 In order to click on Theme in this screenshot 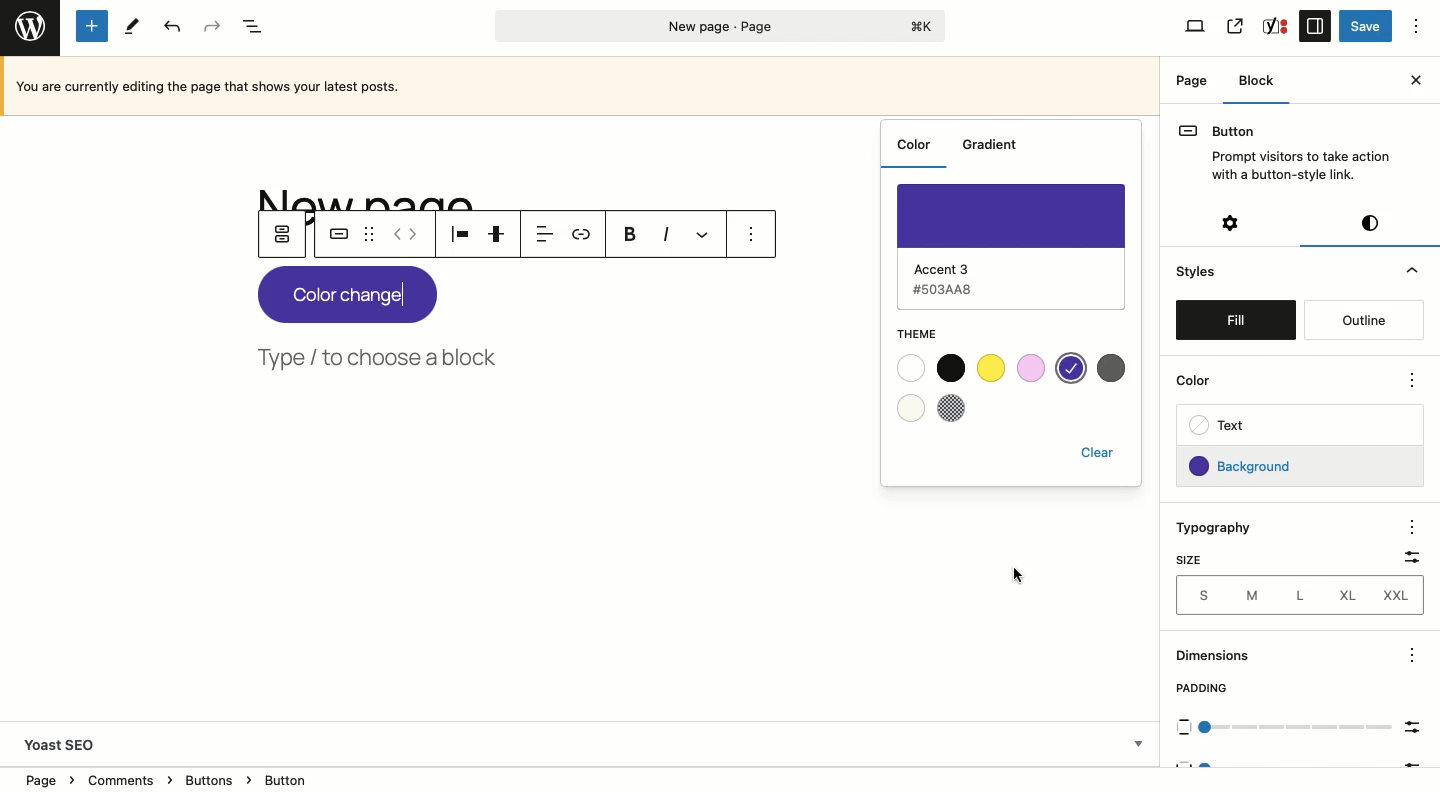, I will do `click(917, 334)`.